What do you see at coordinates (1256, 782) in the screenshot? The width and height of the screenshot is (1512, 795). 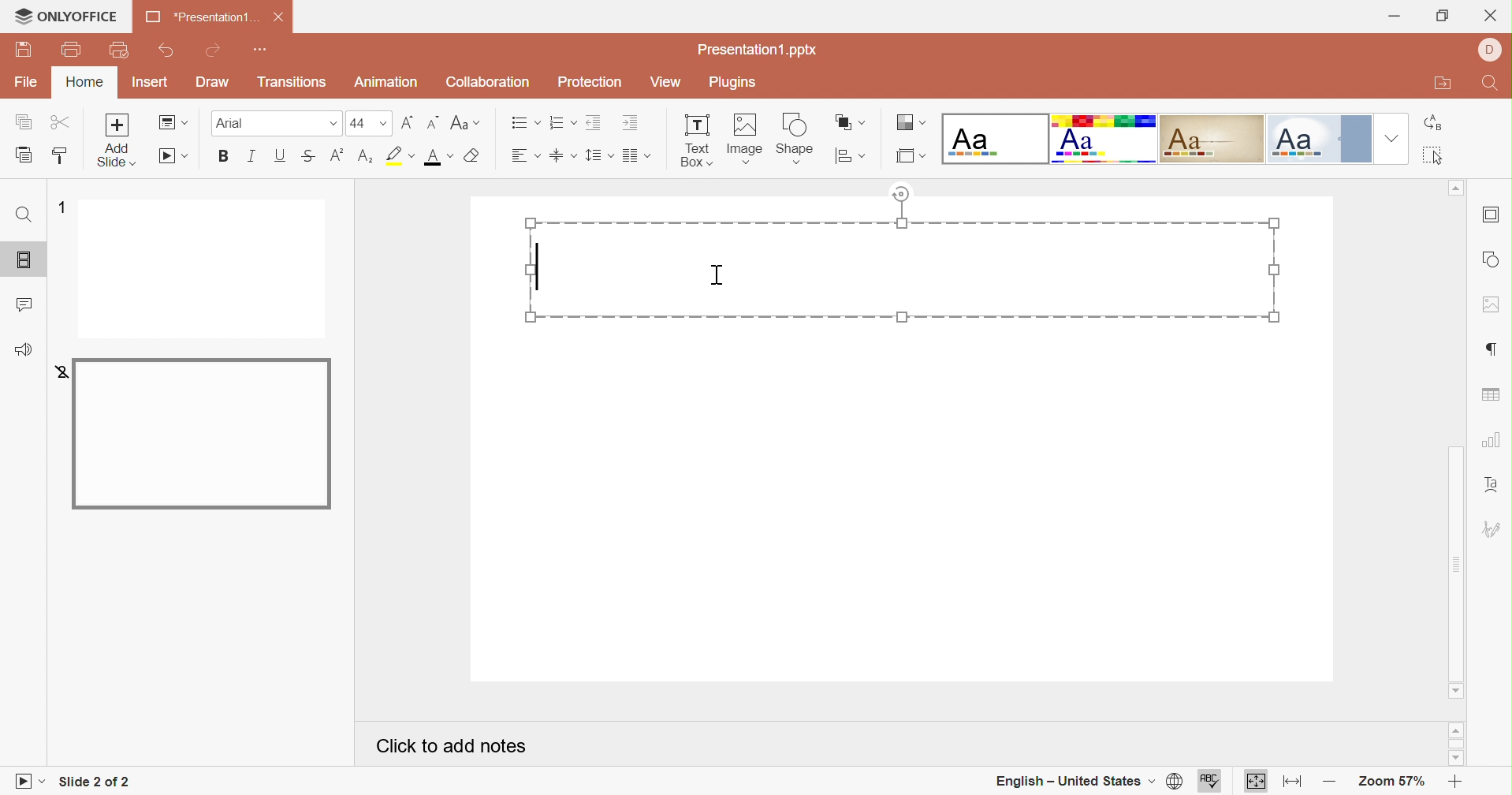 I see `Fit to slide` at bounding box center [1256, 782].